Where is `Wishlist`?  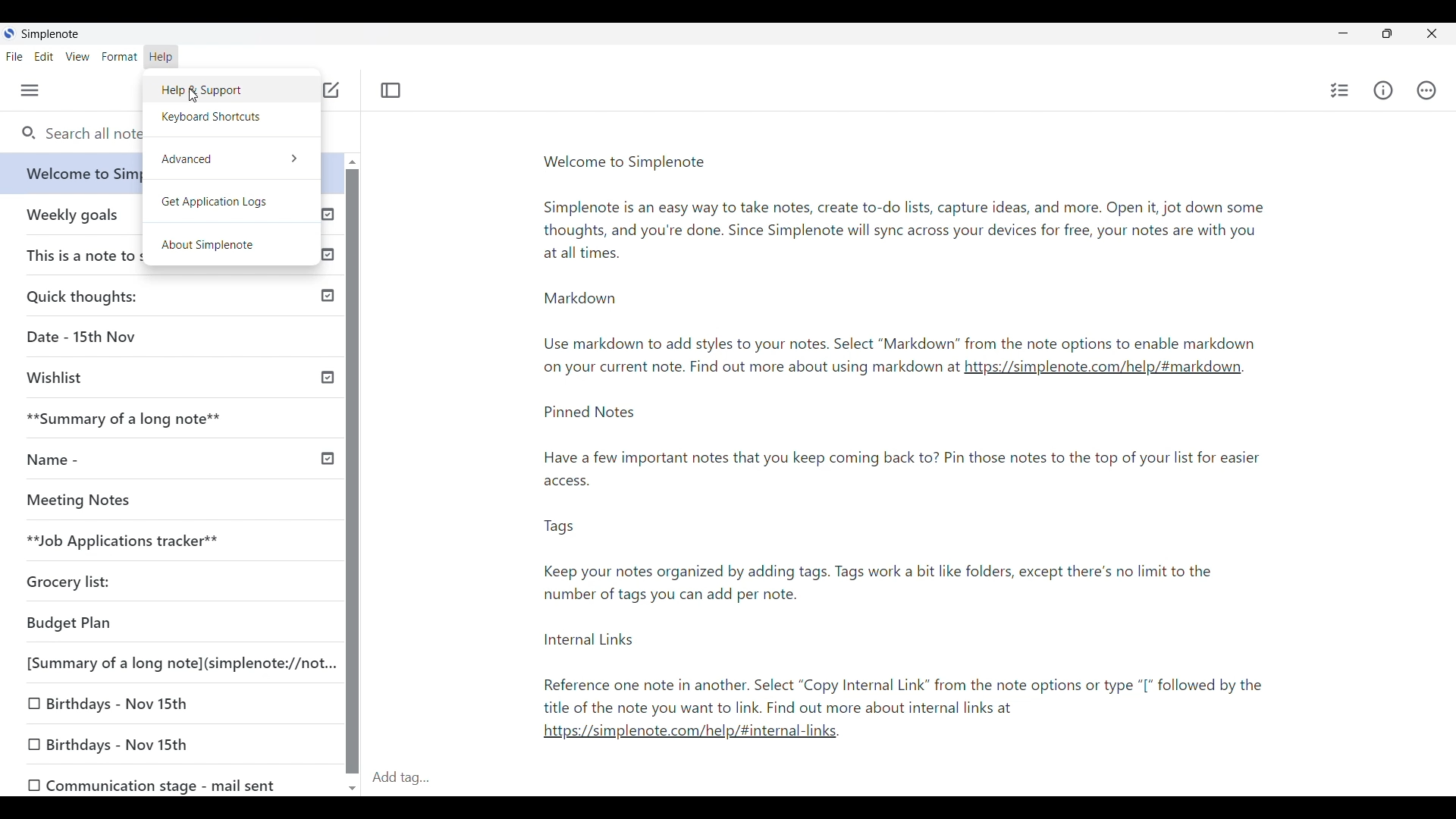 Wishlist is located at coordinates (140, 375).